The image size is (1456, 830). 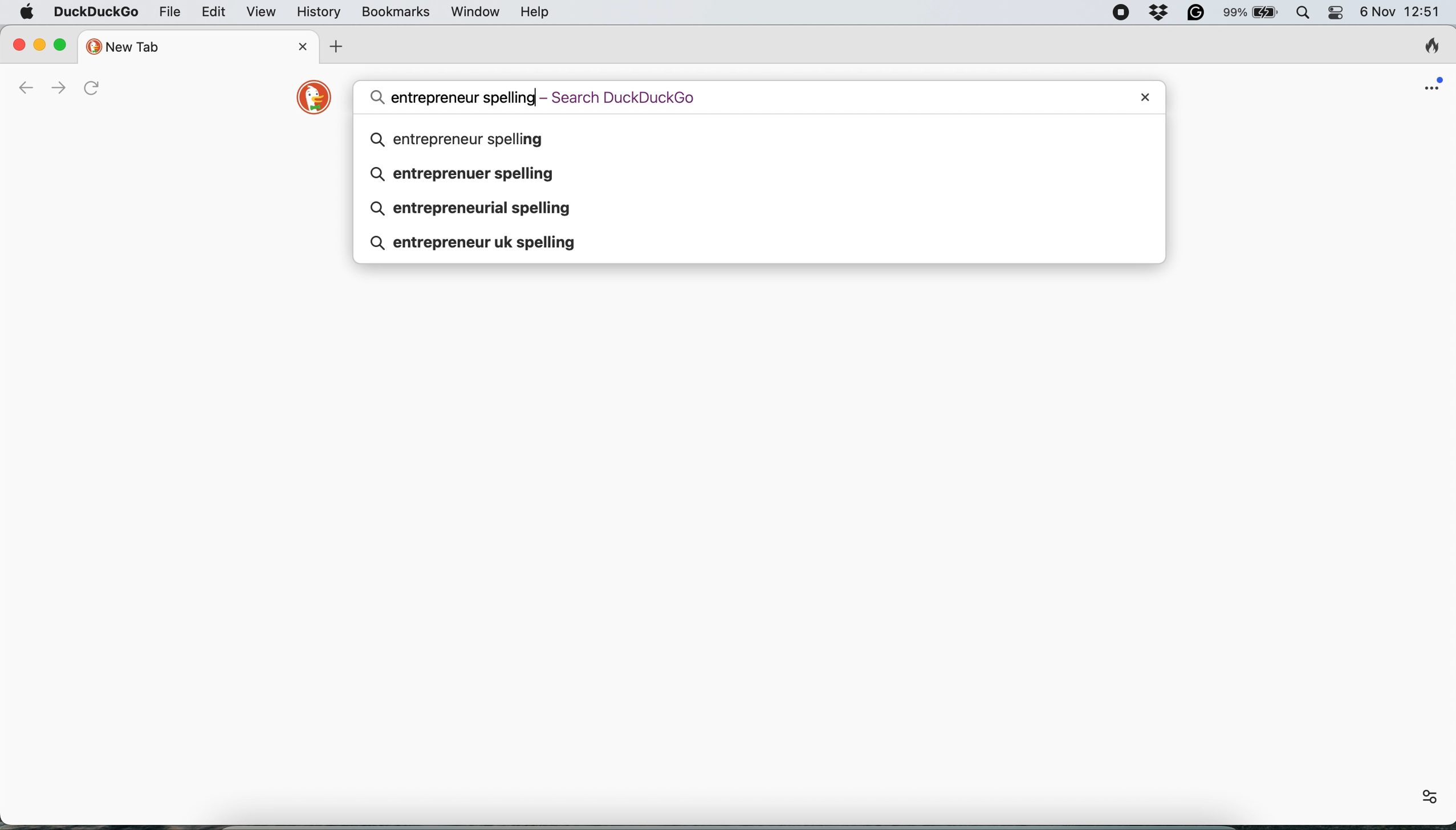 I want to click on entrepreneur spelling, so click(x=457, y=140).